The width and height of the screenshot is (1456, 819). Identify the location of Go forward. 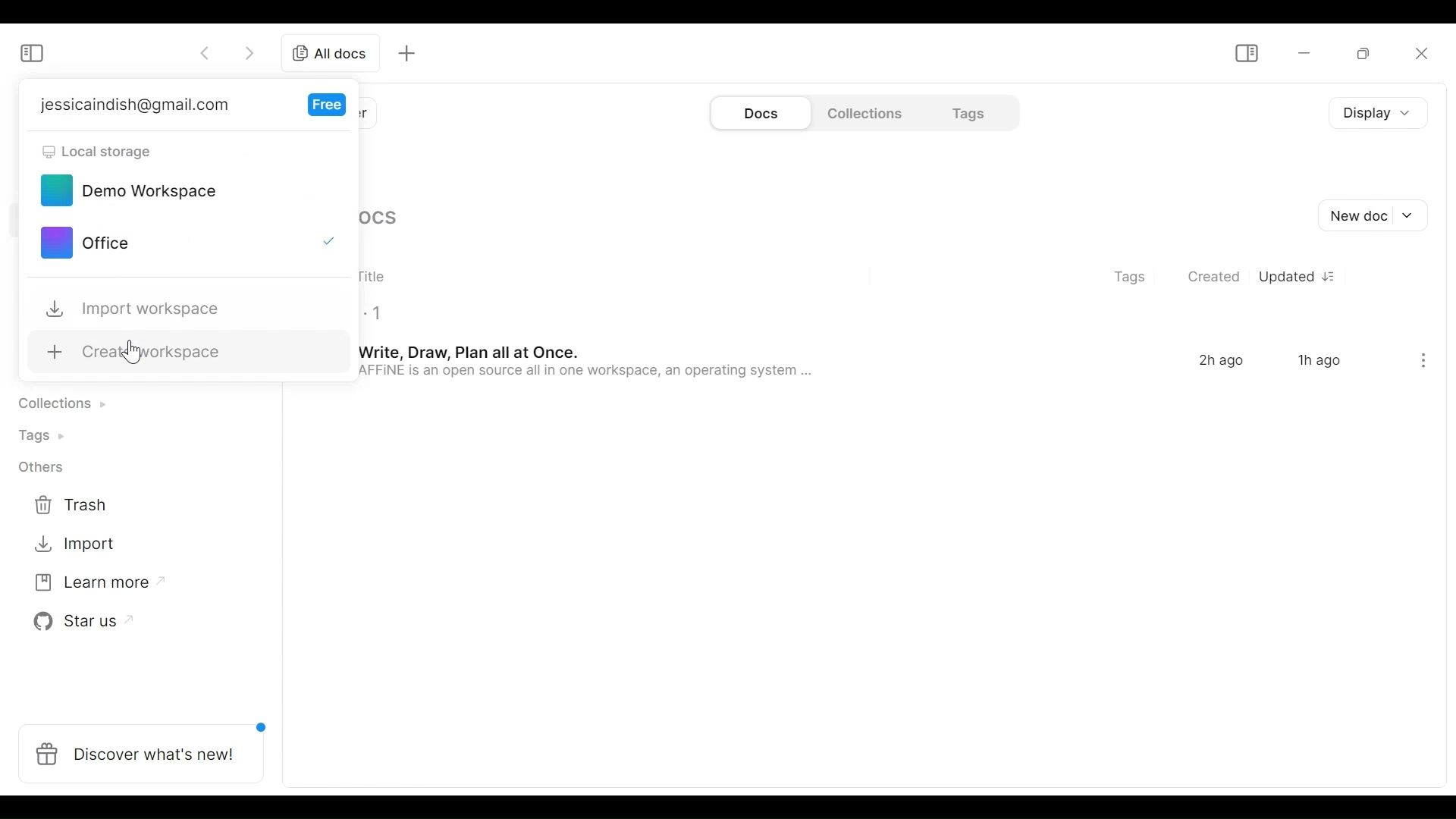
(248, 55).